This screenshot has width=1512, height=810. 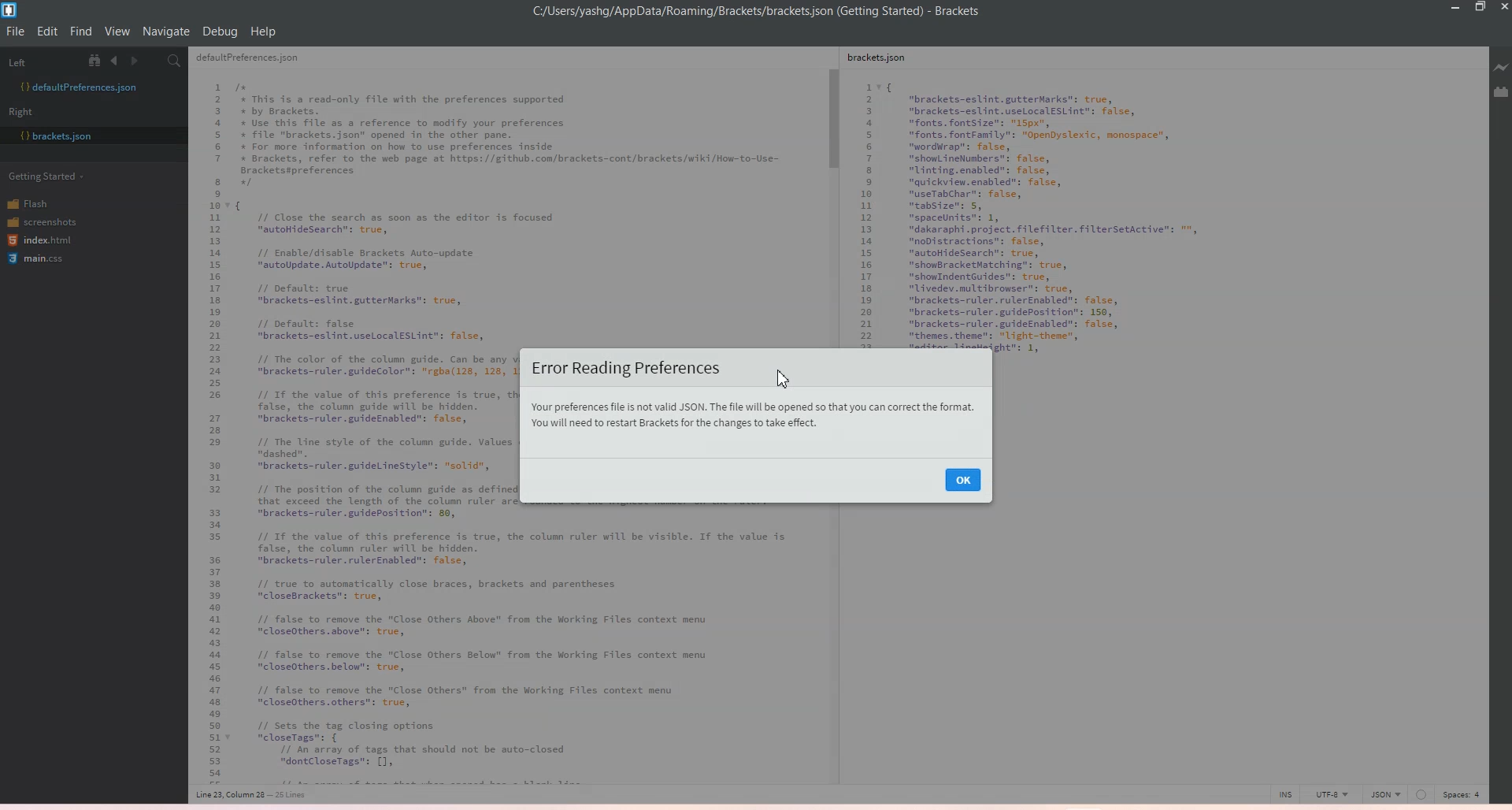 What do you see at coordinates (263, 32) in the screenshot?
I see `Help` at bounding box center [263, 32].